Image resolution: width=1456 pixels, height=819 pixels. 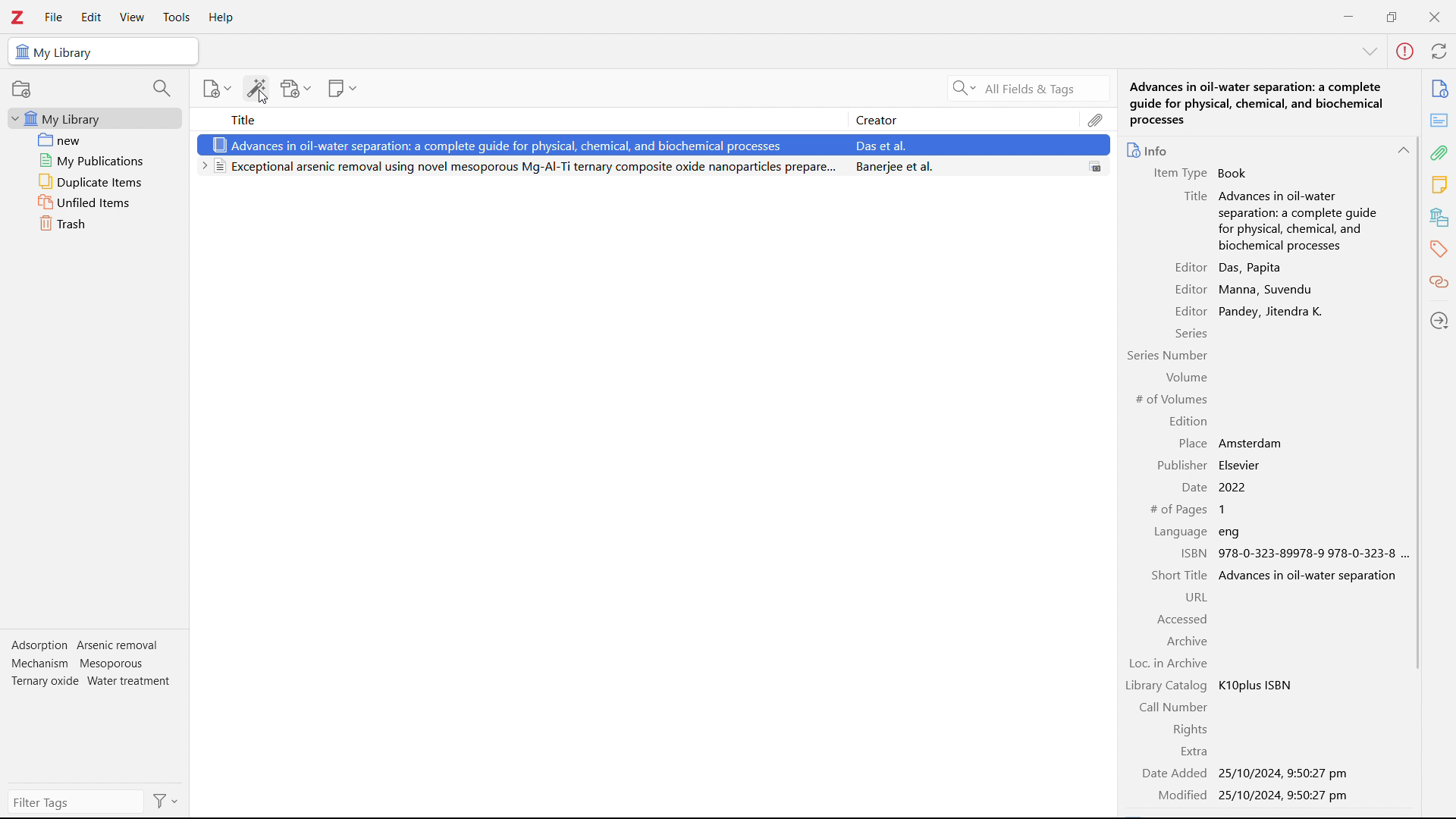 I want to click on sync with zotero.org, so click(x=1439, y=50).